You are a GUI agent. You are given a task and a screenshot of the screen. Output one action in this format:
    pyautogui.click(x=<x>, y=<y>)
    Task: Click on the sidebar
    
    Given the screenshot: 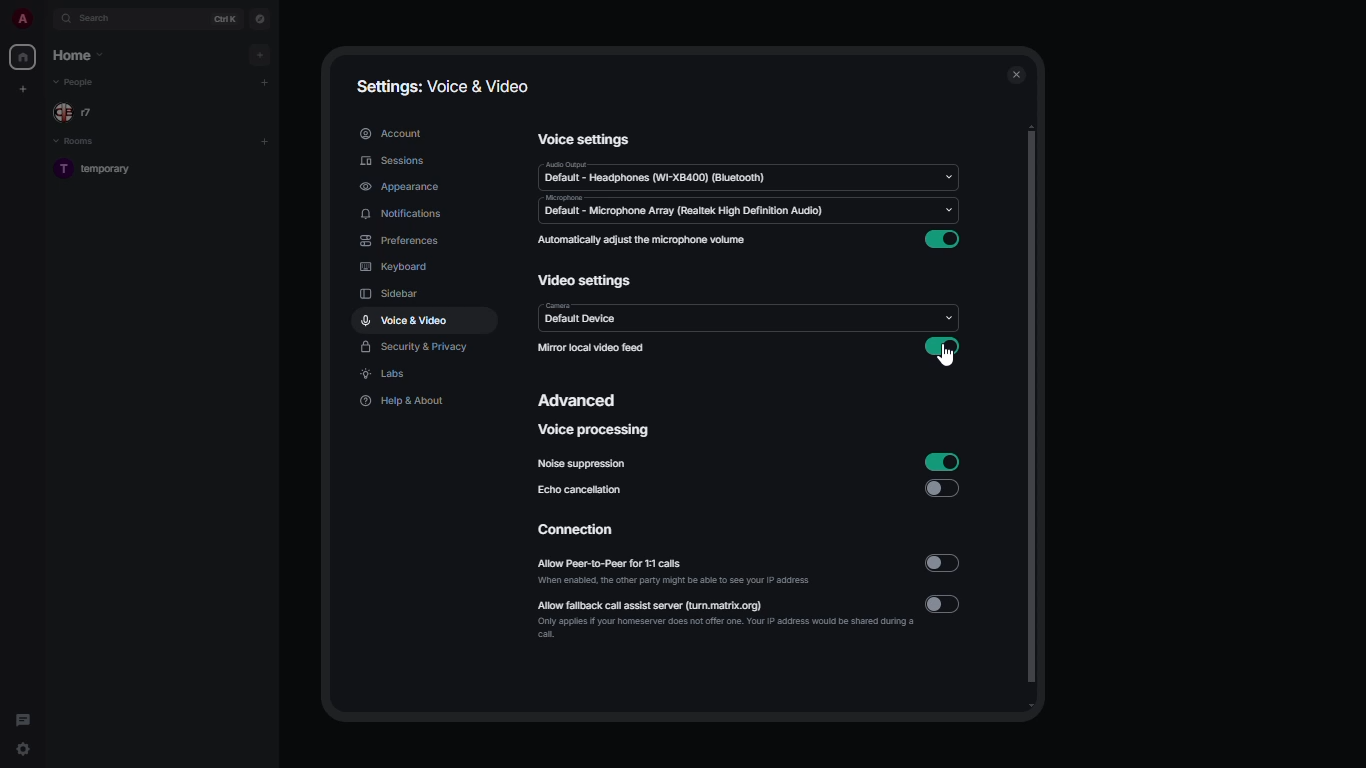 What is the action you would take?
    pyautogui.click(x=390, y=293)
    